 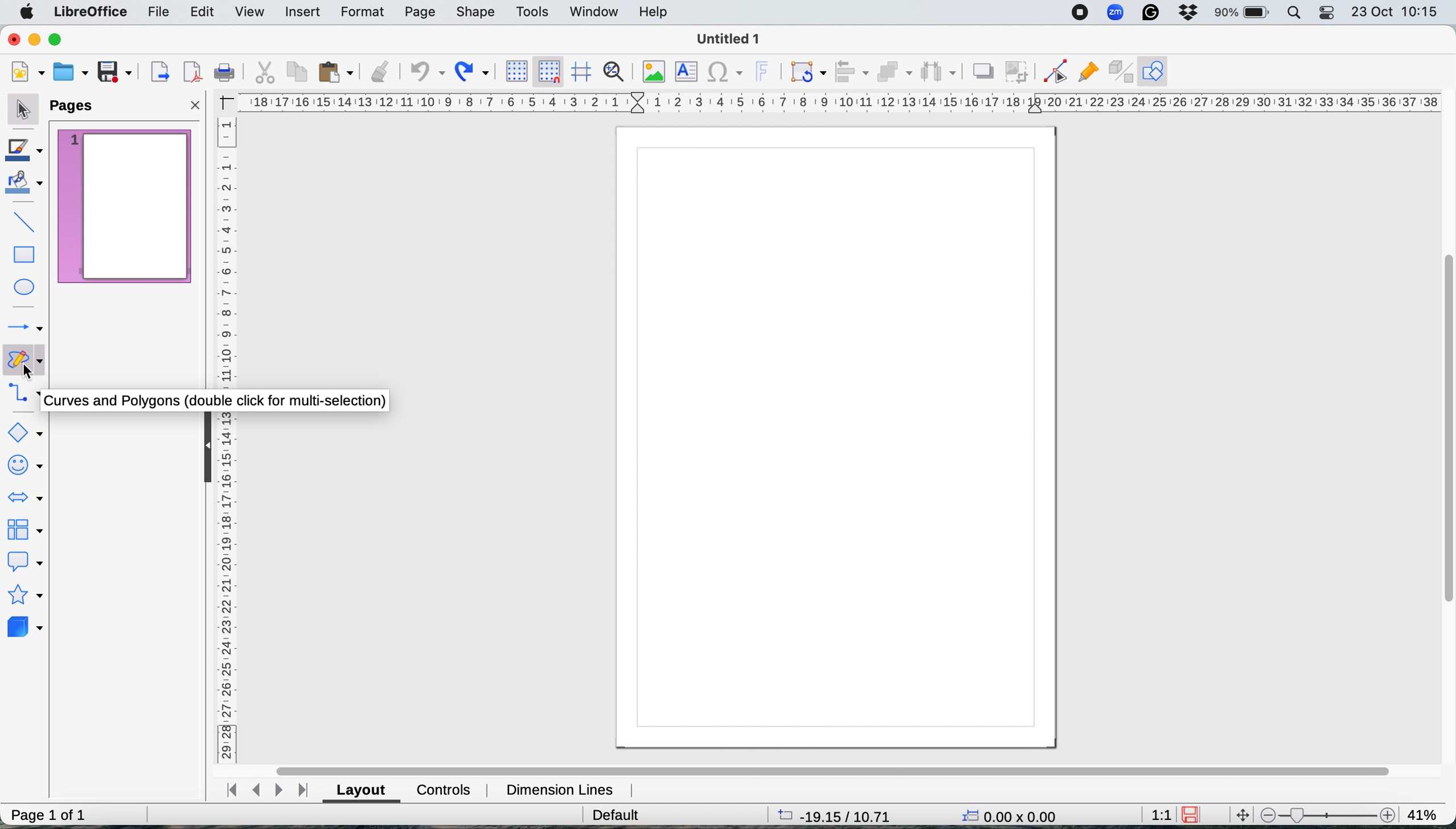 I want to click on shadow, so click(x=984, y=72).